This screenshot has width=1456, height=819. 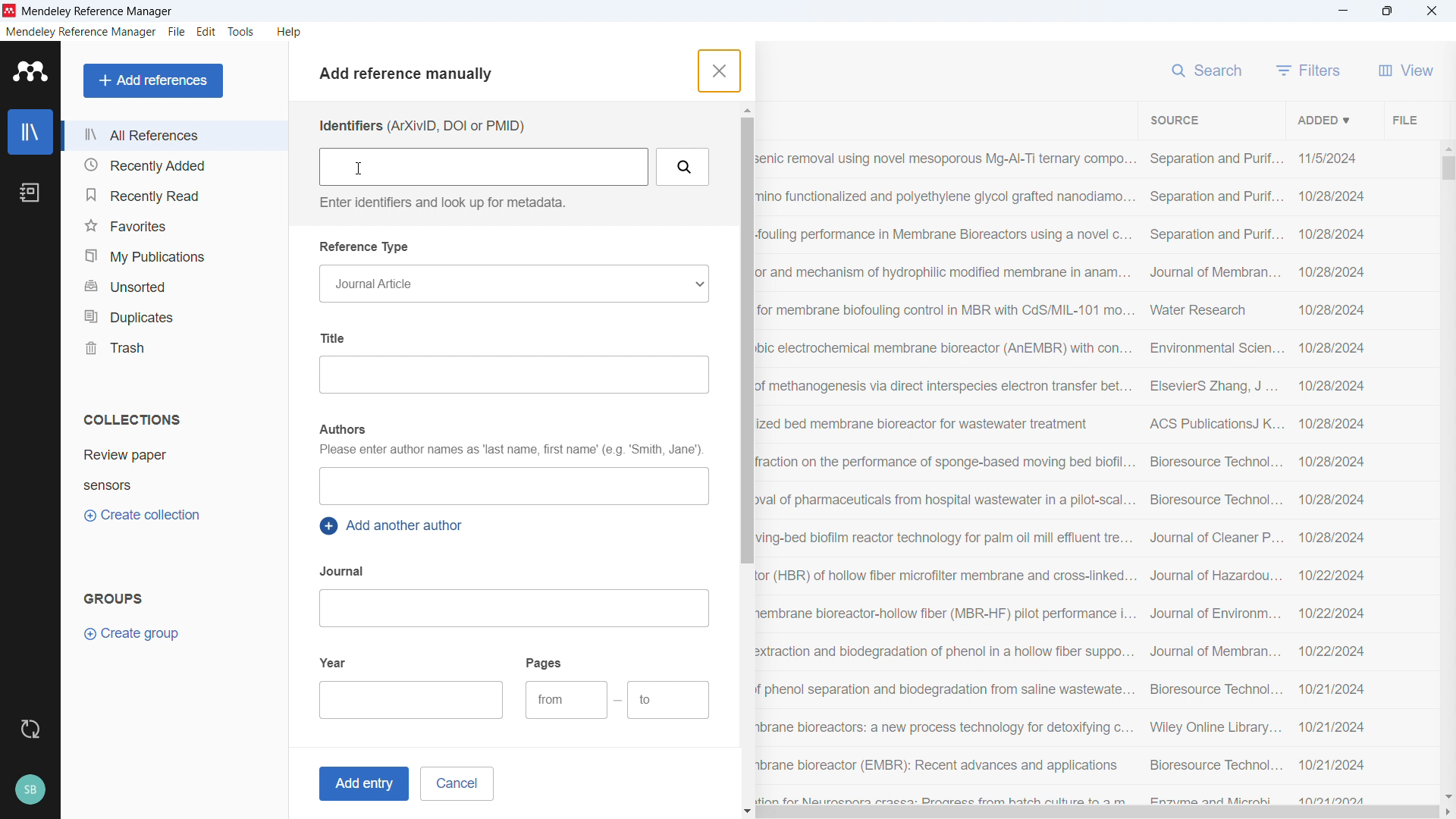 What do you see at coordinates (99, 12) in the screenshot?
I see `title` at bounding box center [99, 12].